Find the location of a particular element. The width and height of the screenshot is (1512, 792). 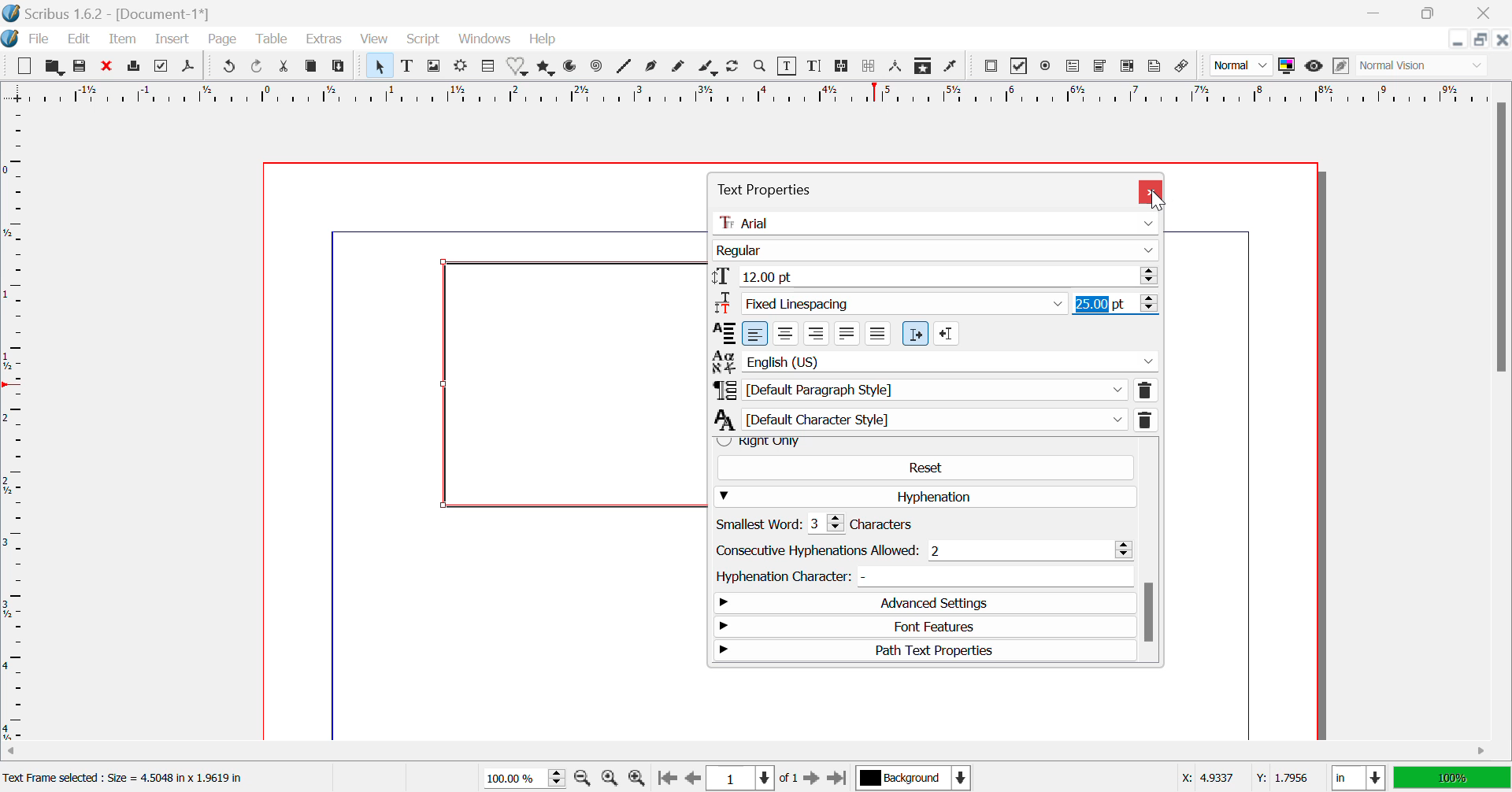

Render Frame is located at coordinates (463, 66).